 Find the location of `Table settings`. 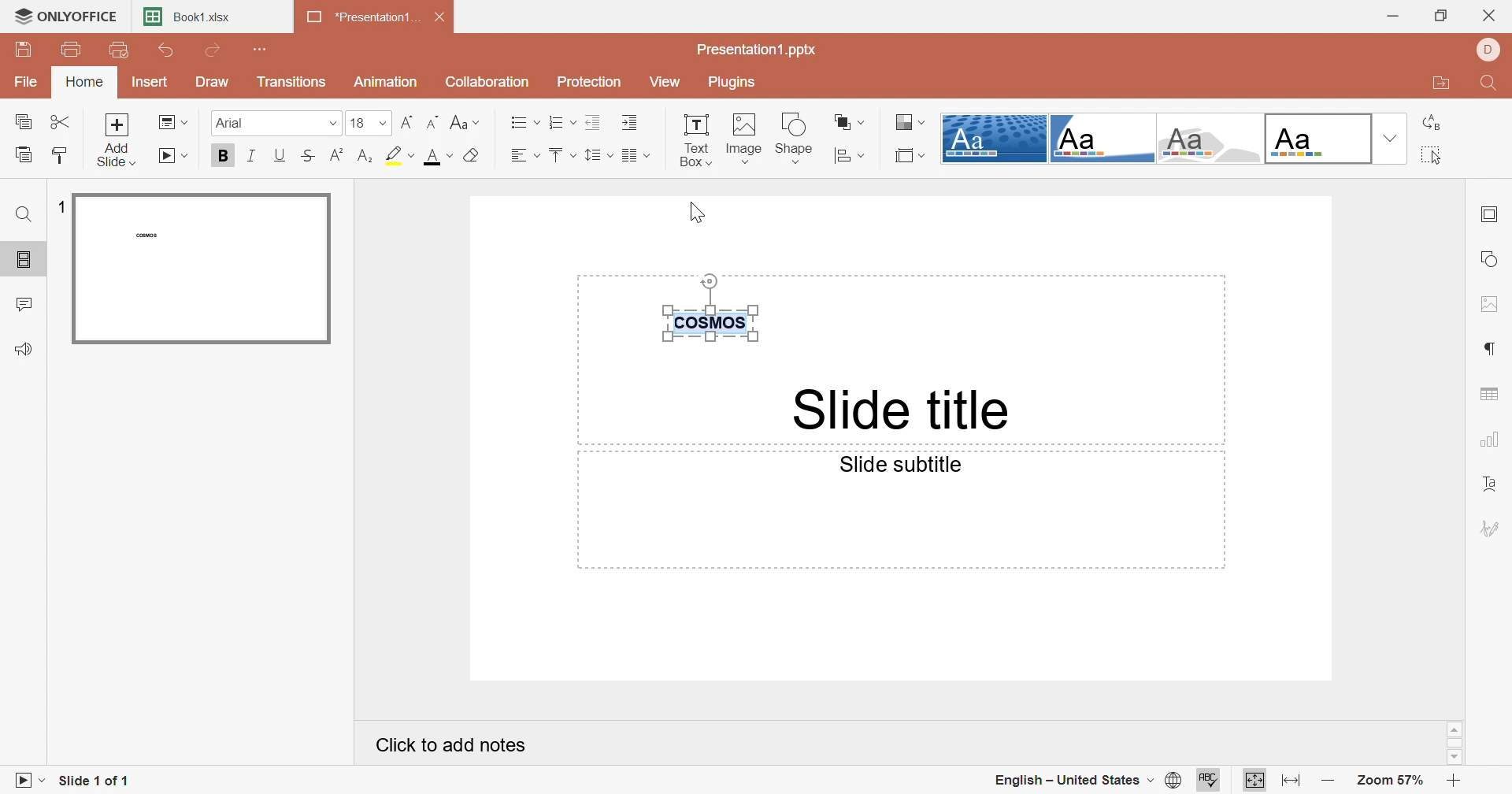

Table settings is located at coordinates (1489, 391).